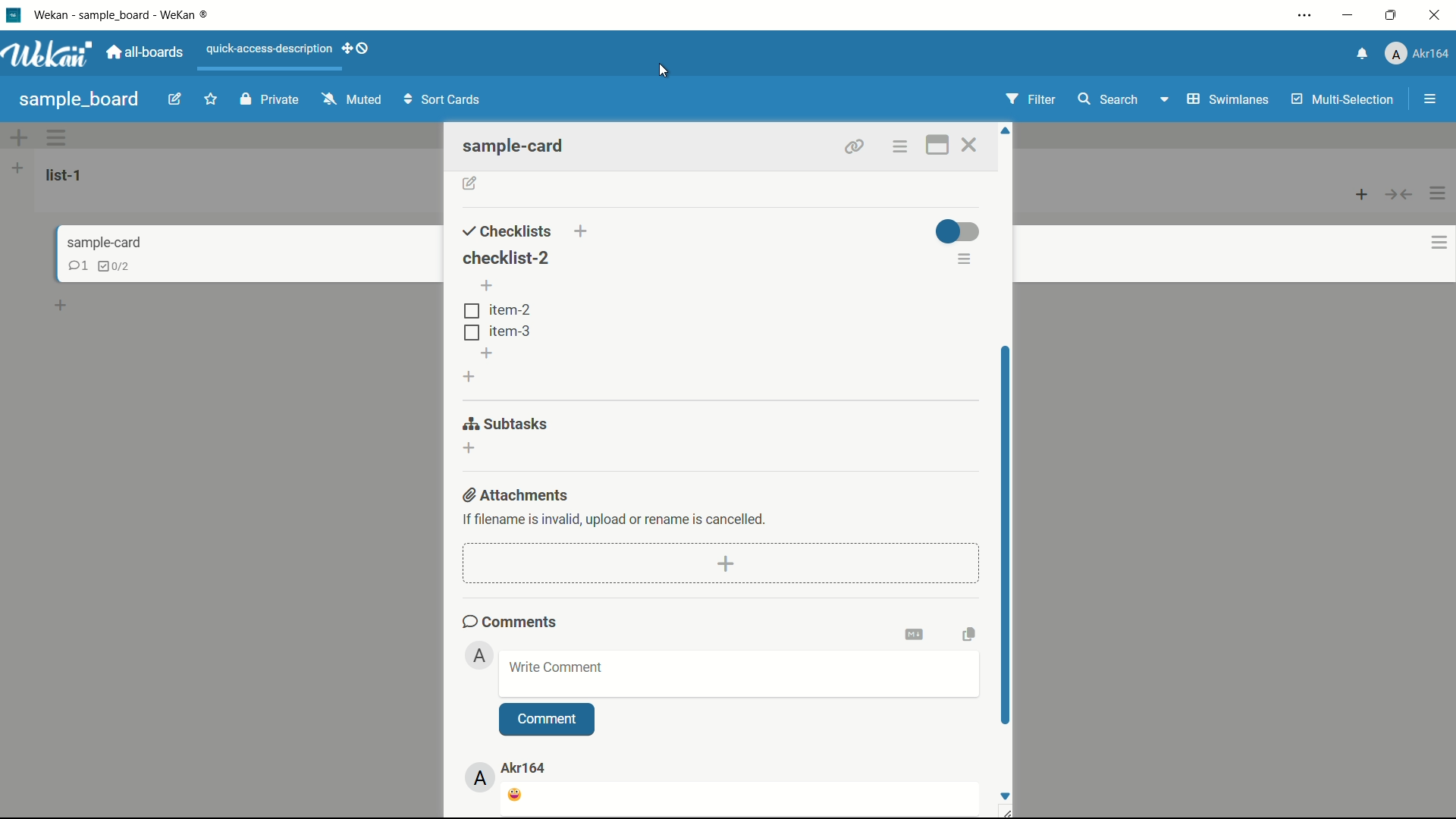 The width and height of the screenshot is (1456, 819). I want to click on app icon, so click(13, 16).